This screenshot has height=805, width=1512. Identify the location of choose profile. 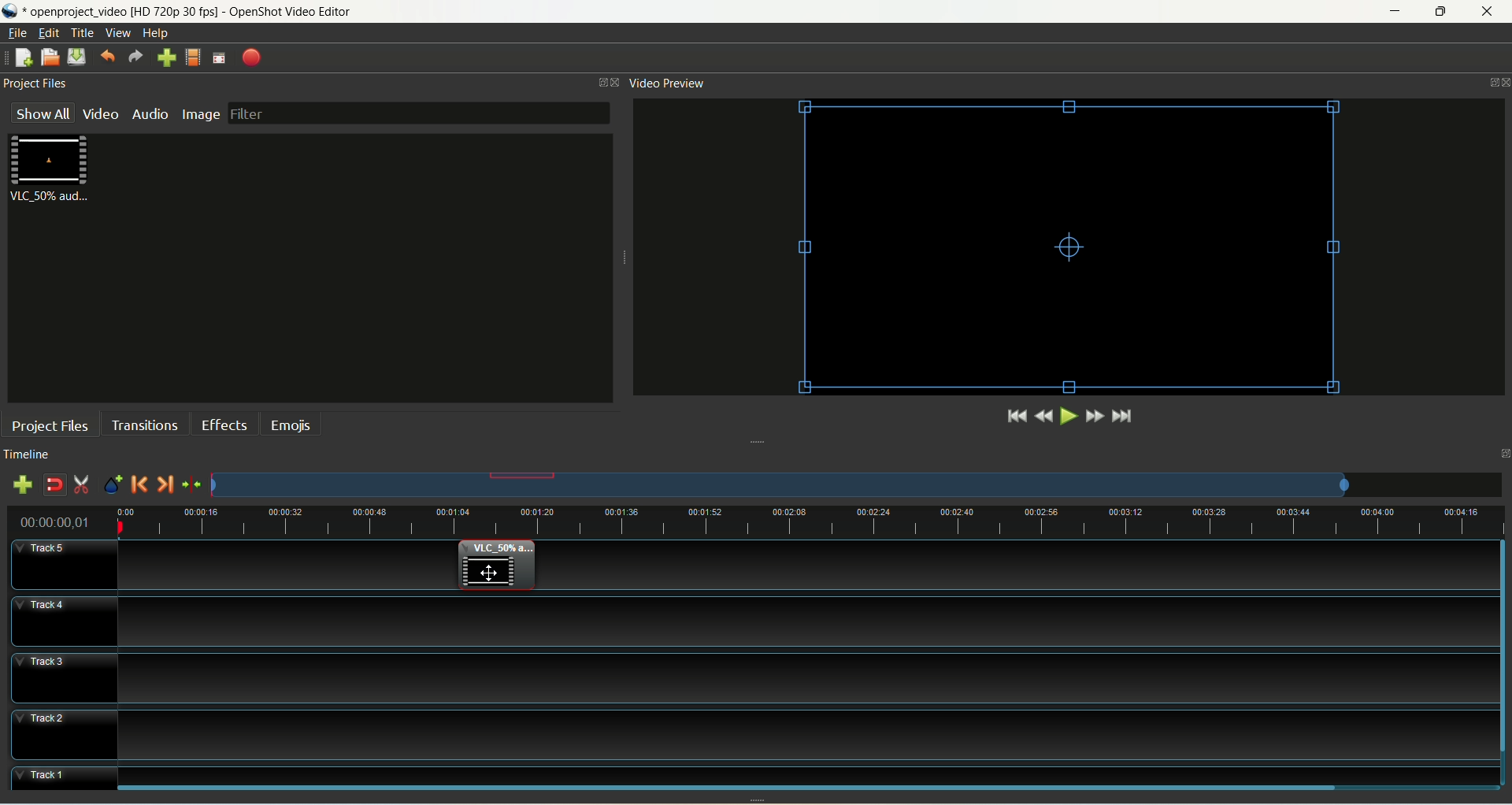
(193, 57).